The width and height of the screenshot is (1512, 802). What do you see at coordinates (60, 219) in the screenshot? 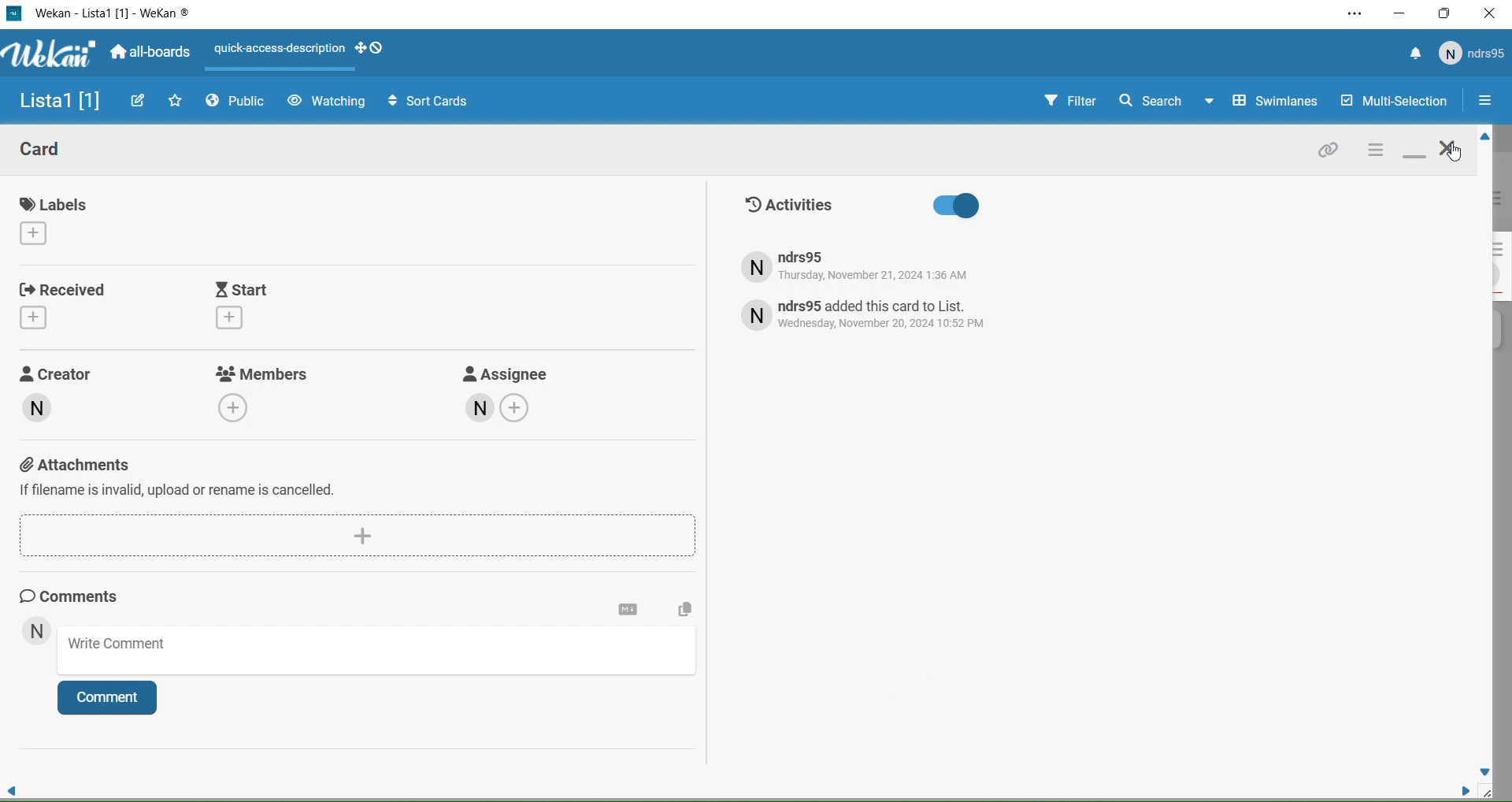
I see `Labels` at bounding box center [60, 219].